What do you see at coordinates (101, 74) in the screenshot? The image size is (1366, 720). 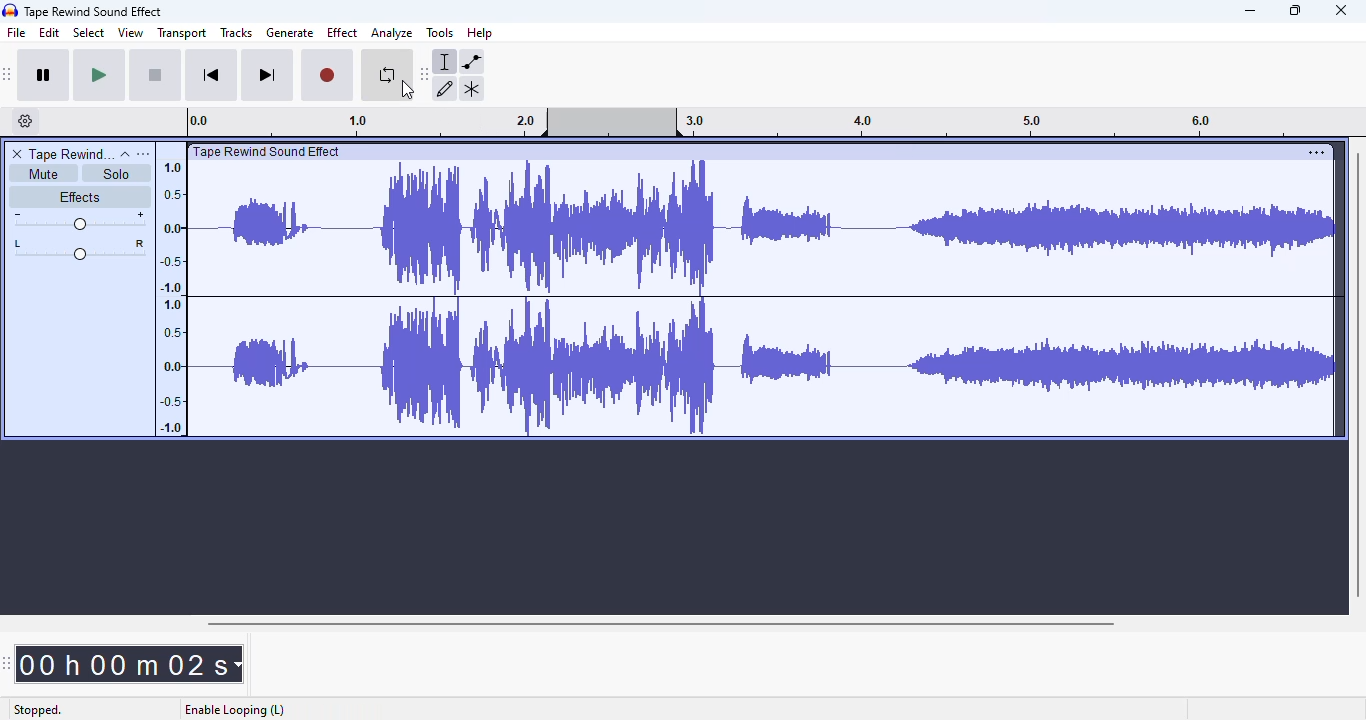 I see `play` at bounding box center [101, 74].